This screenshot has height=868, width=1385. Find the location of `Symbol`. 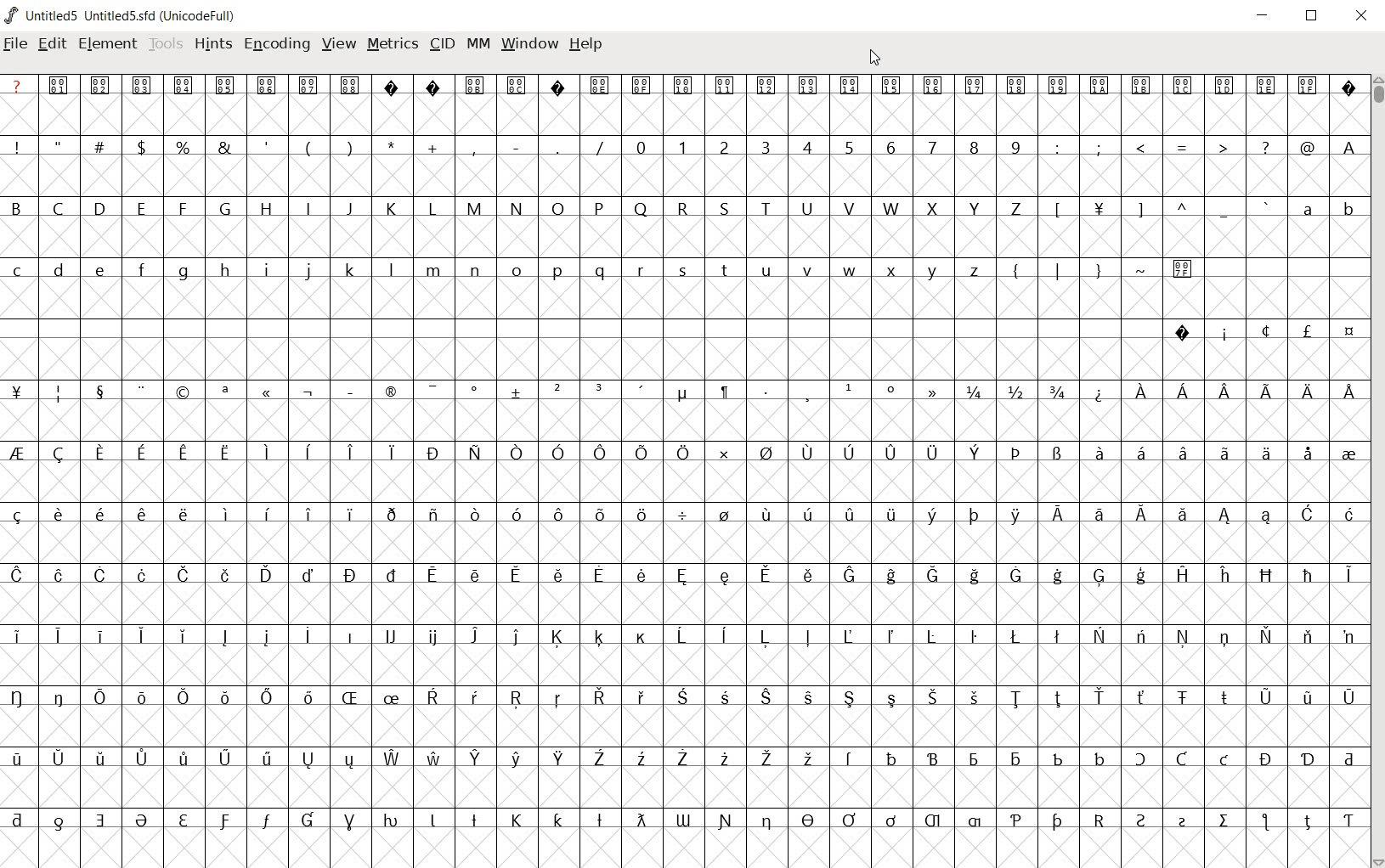

Symbol is located at coordinates (59, 697).